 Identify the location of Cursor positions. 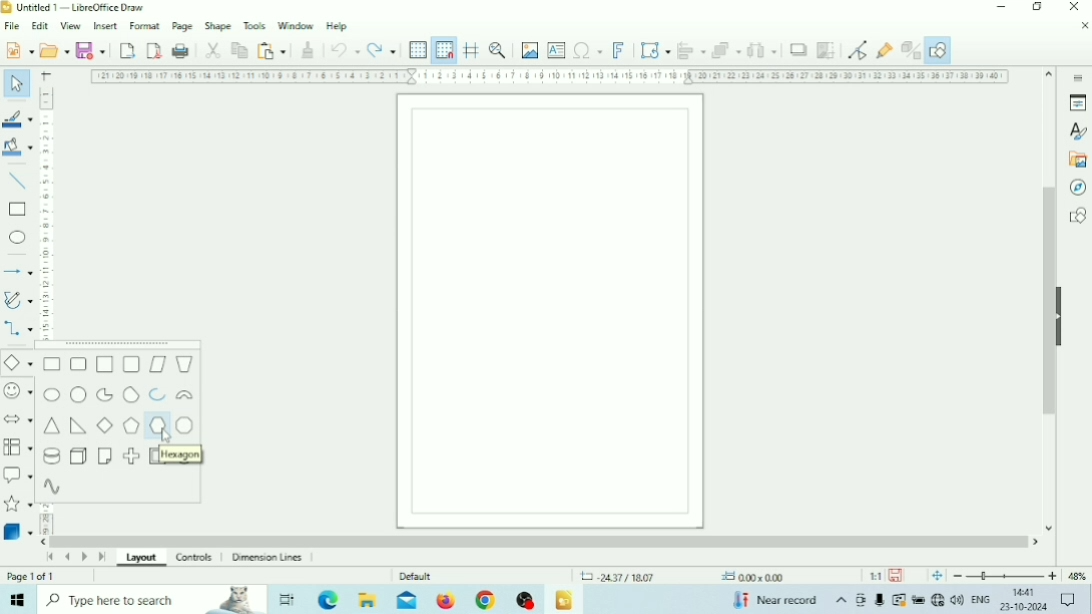
(682, 577).